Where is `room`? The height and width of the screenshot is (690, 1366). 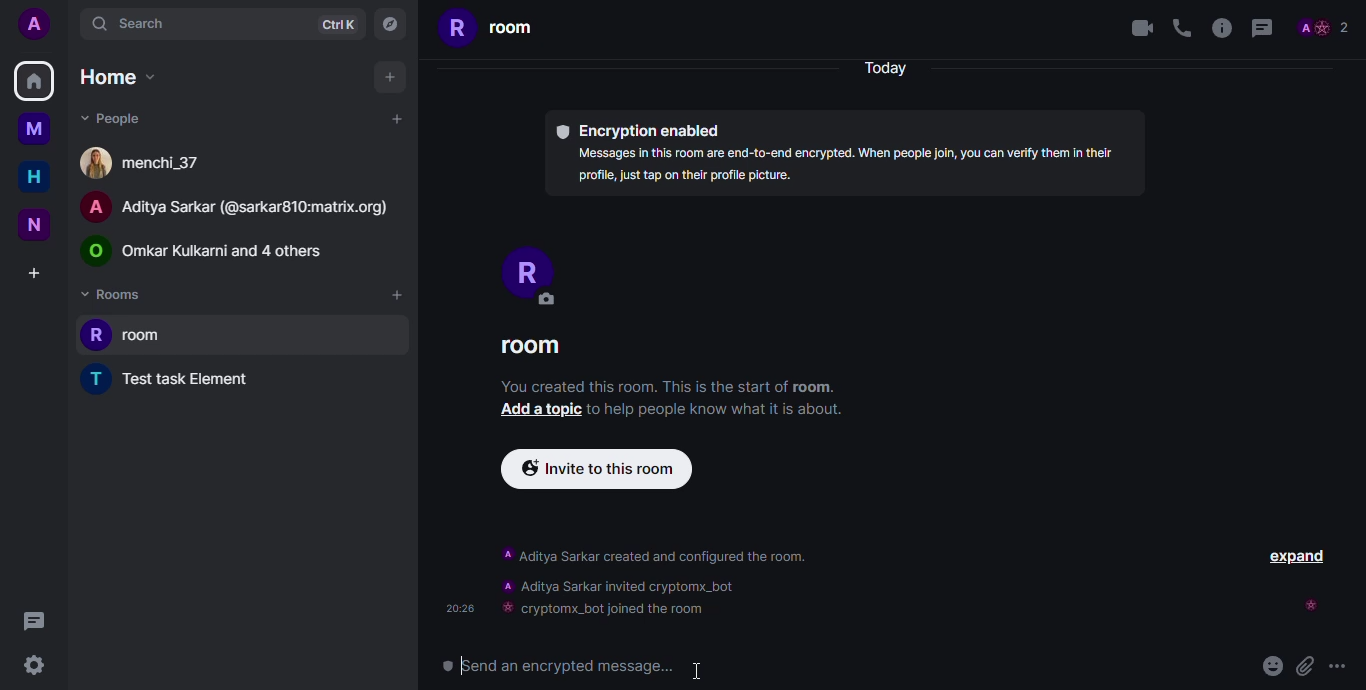
room is located at coordinates (129, 331).